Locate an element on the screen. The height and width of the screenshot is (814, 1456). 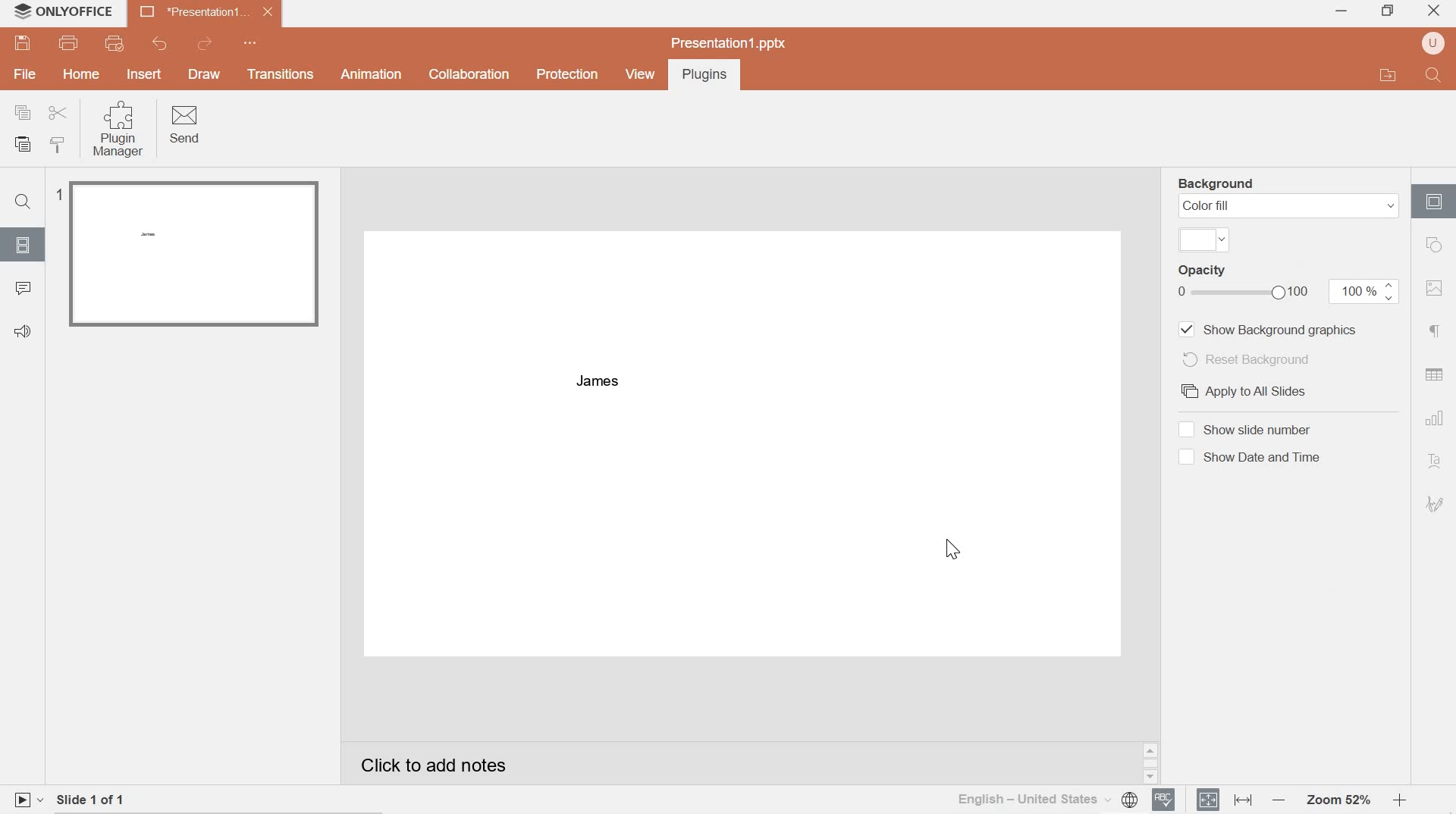
document language is located at coordinates (1047, 798).